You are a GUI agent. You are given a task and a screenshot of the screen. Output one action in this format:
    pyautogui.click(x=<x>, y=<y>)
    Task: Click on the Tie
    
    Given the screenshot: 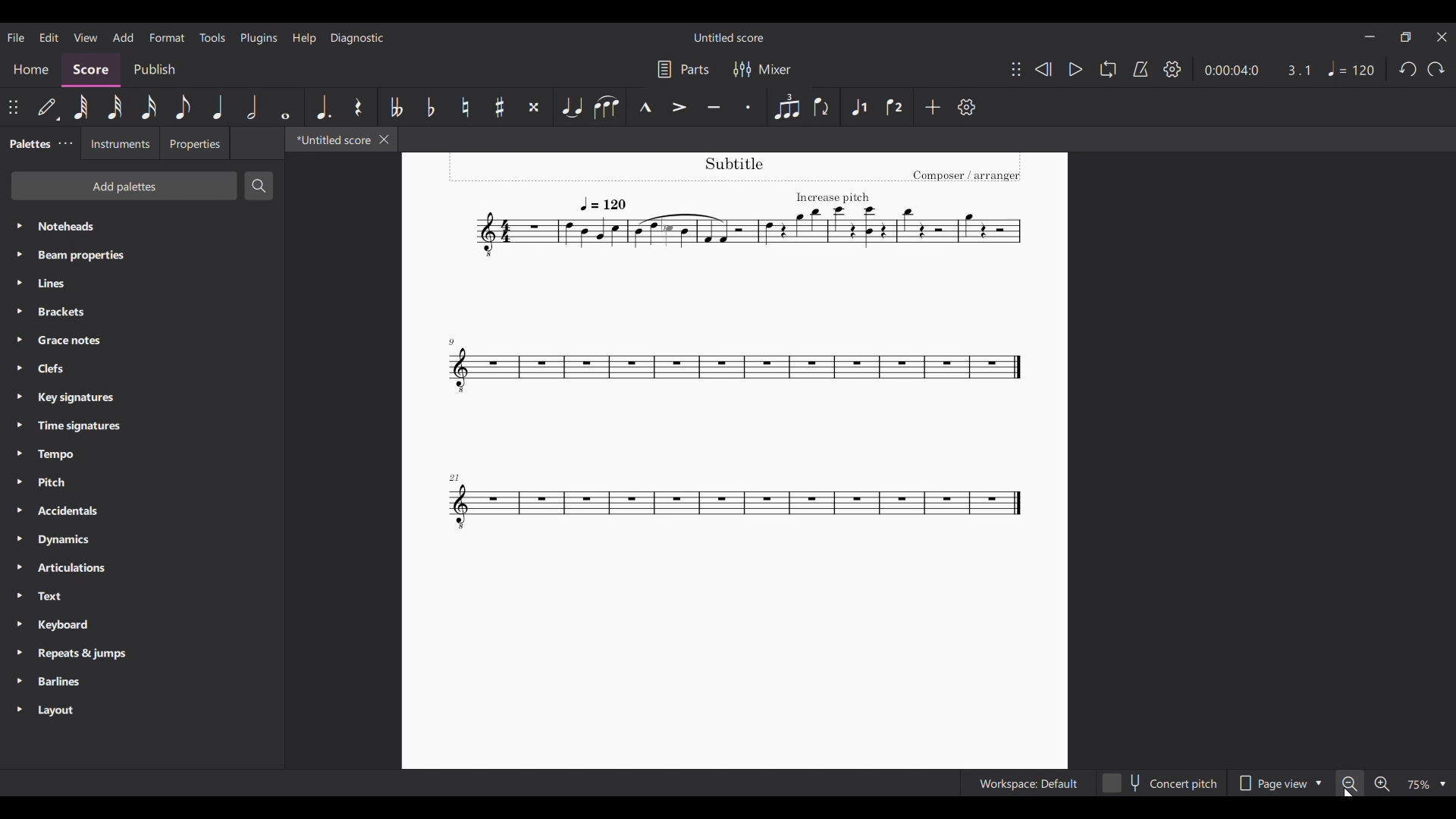 What is the action you would take?
    pyautogui.click(x=571, y=107)
    